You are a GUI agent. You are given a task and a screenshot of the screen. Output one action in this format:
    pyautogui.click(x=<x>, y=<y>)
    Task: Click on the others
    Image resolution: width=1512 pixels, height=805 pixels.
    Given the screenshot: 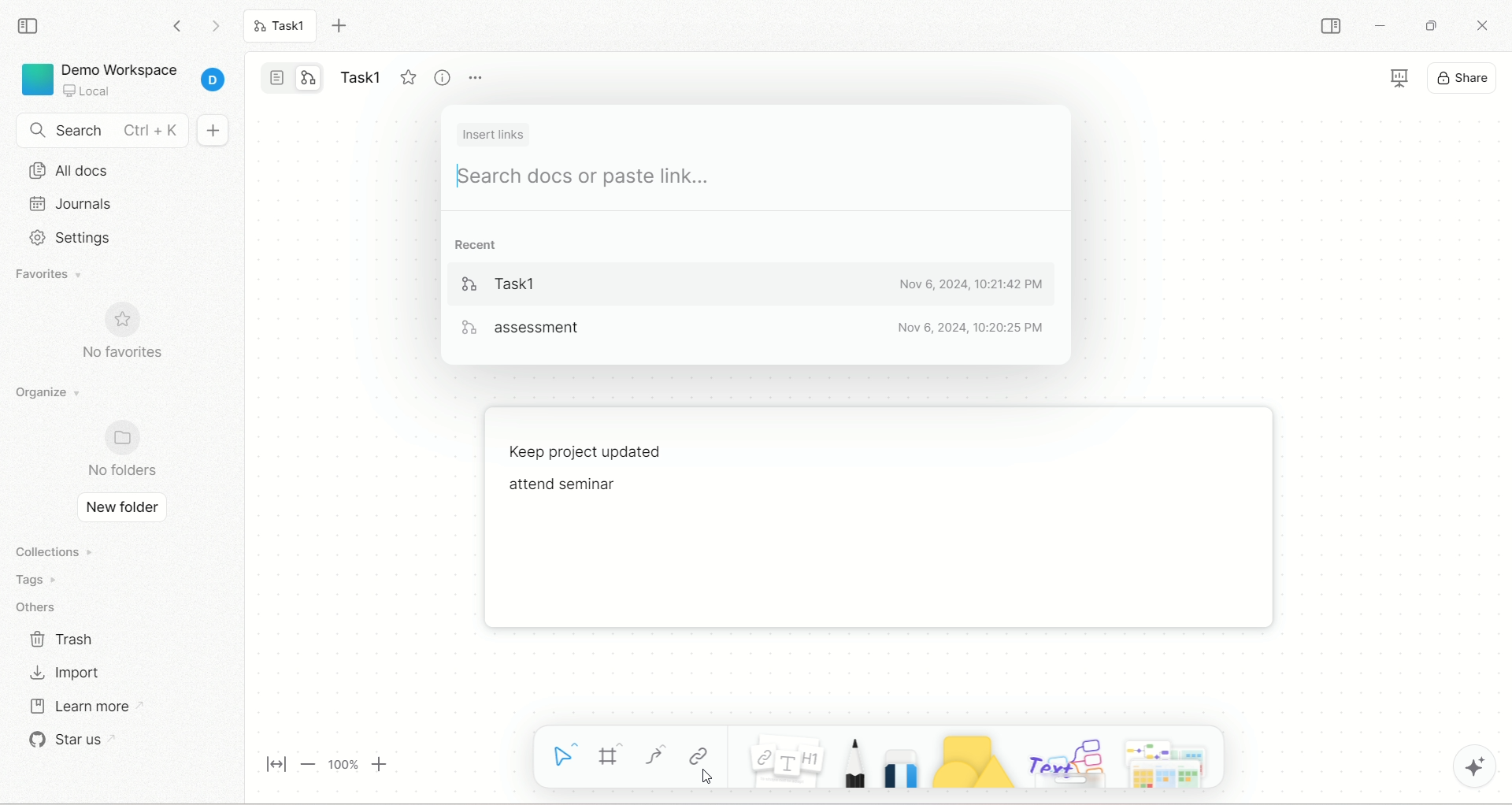 What is the action you would take?
    pyautogui.click(x=1065, y=760)
    